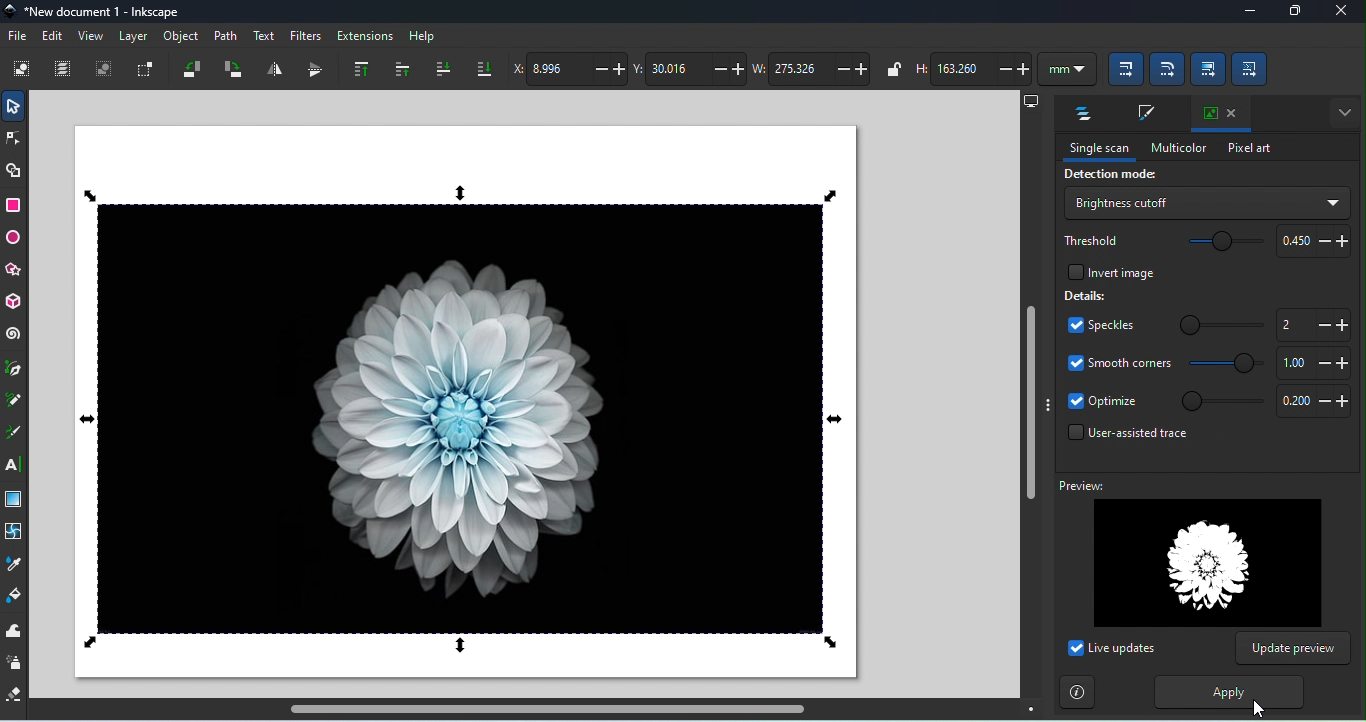  I want to click on Spray tool, so click(15, 663).